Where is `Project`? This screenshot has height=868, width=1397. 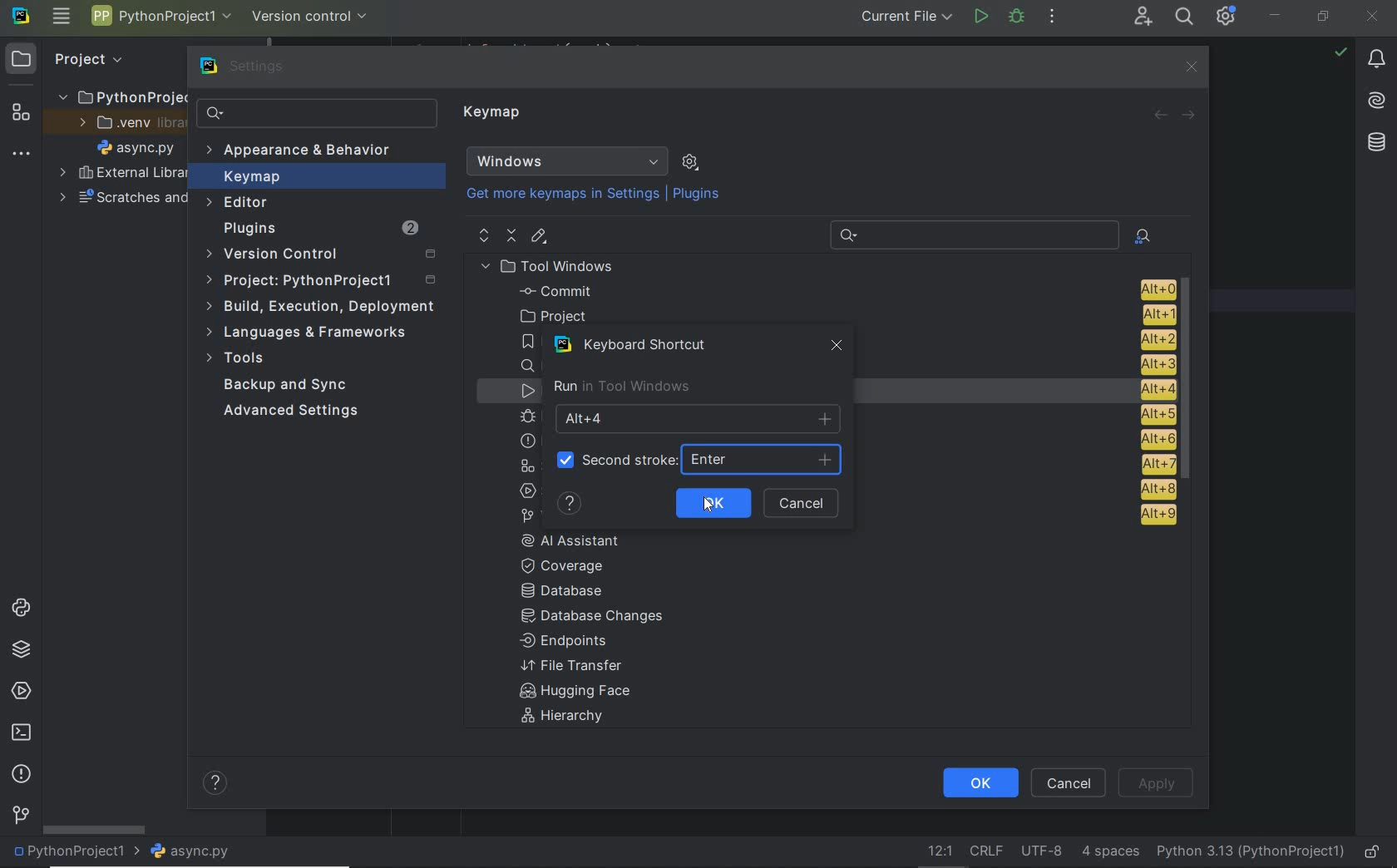 Project is located at coordinates (72, 58).